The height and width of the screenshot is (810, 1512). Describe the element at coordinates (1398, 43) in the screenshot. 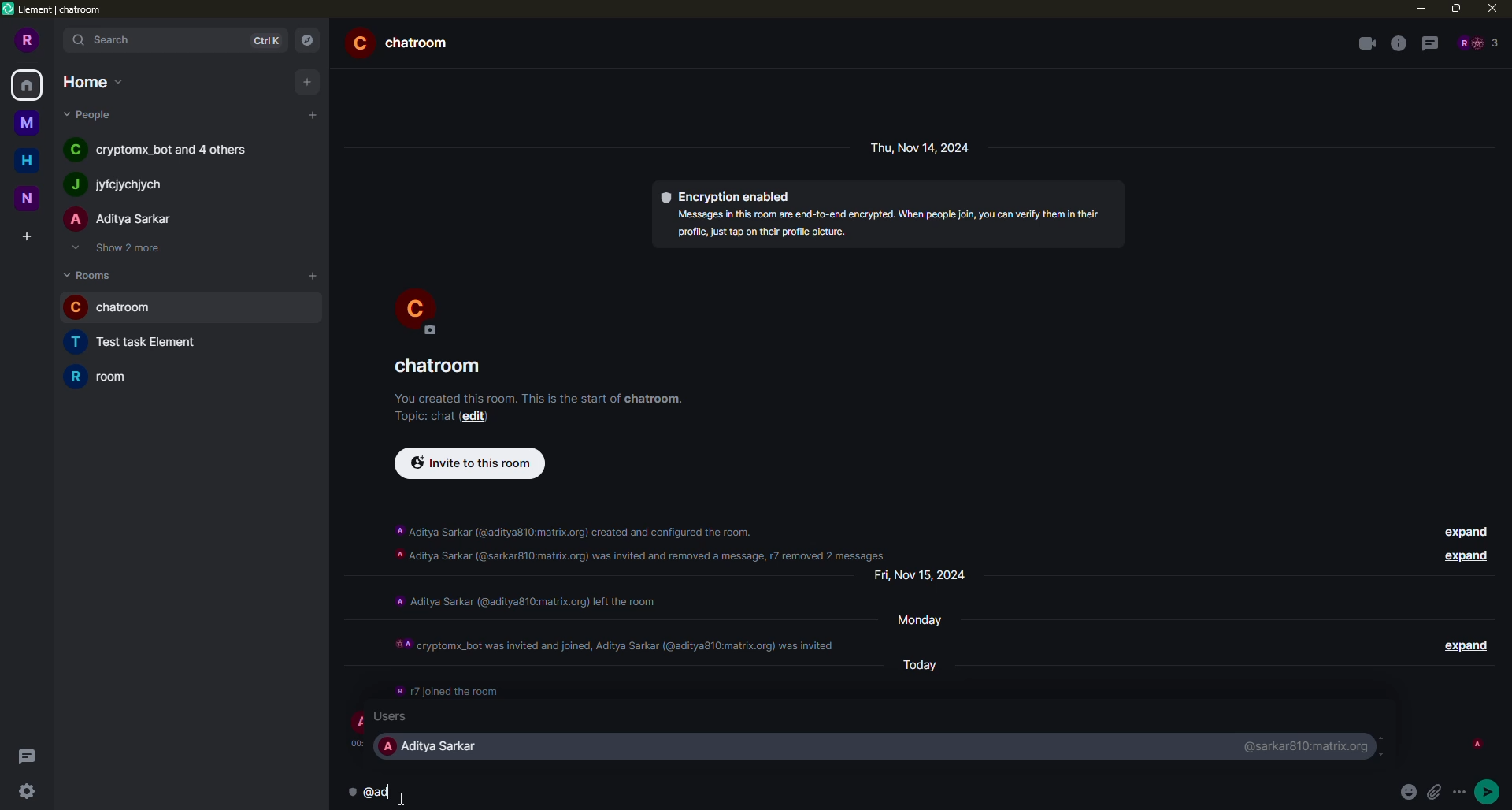

I see `info` at that location.